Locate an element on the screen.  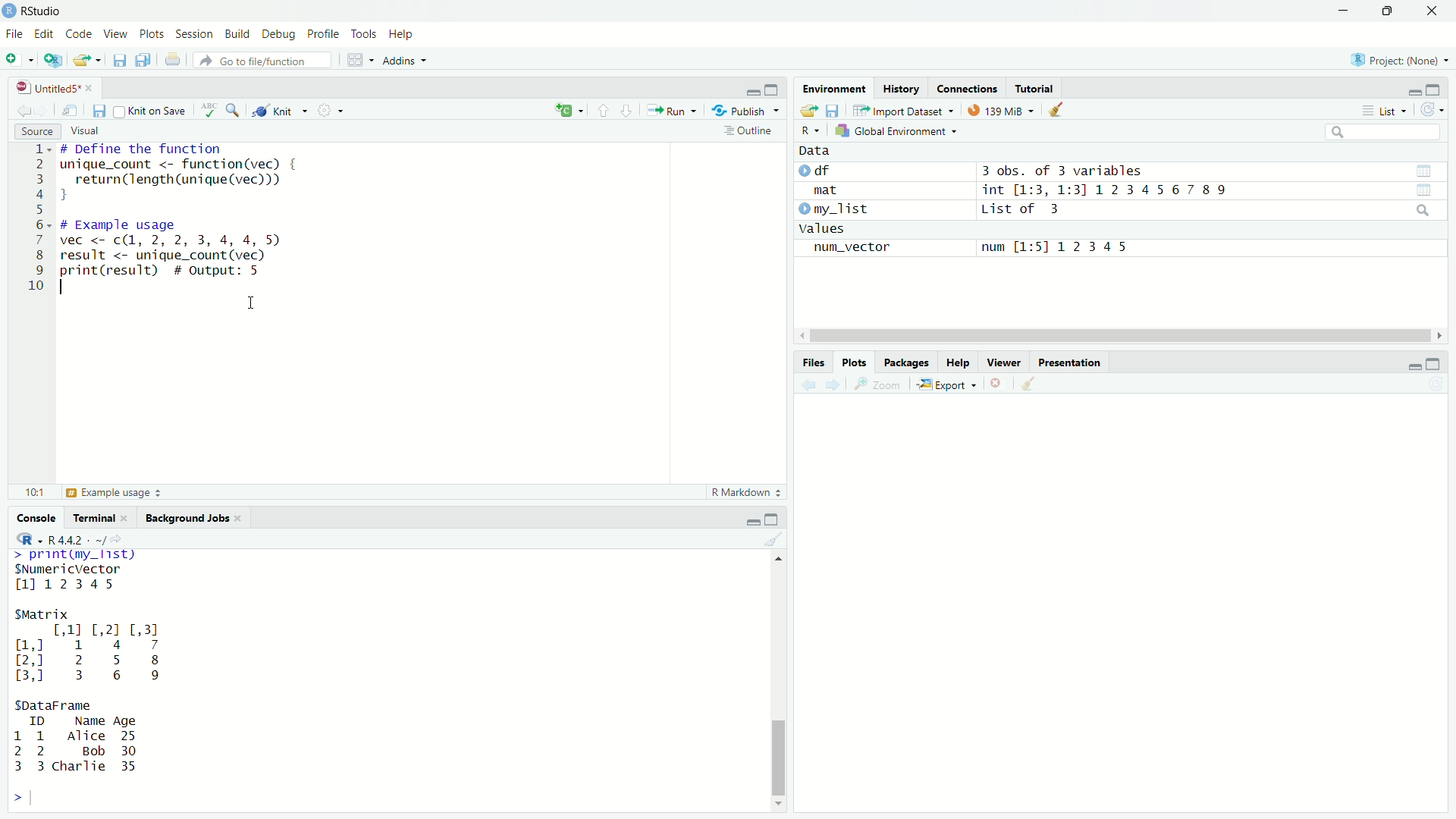
show in new window is located at coordinates (70, 111).